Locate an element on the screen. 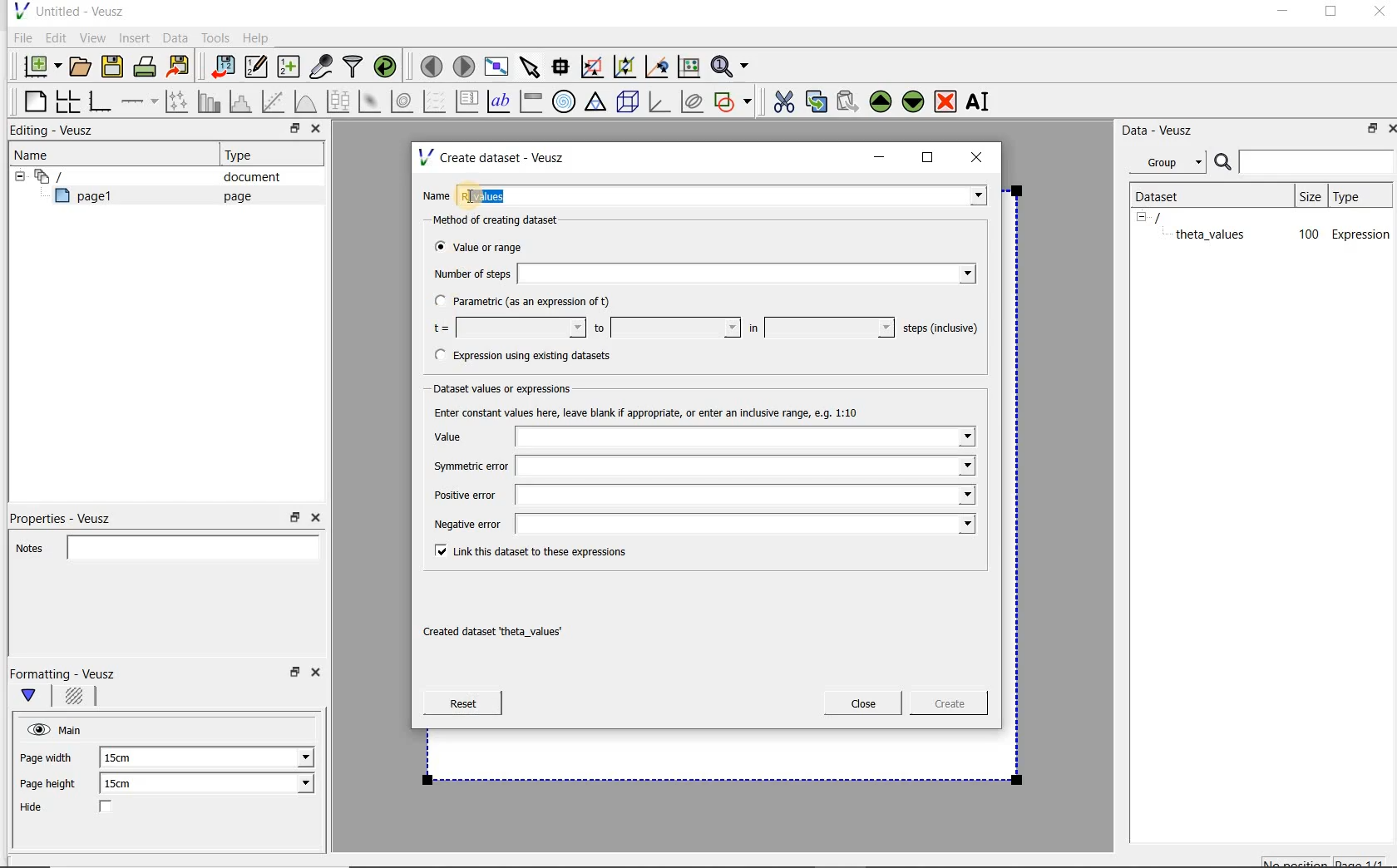  Name is located at coordinates (437, 194).